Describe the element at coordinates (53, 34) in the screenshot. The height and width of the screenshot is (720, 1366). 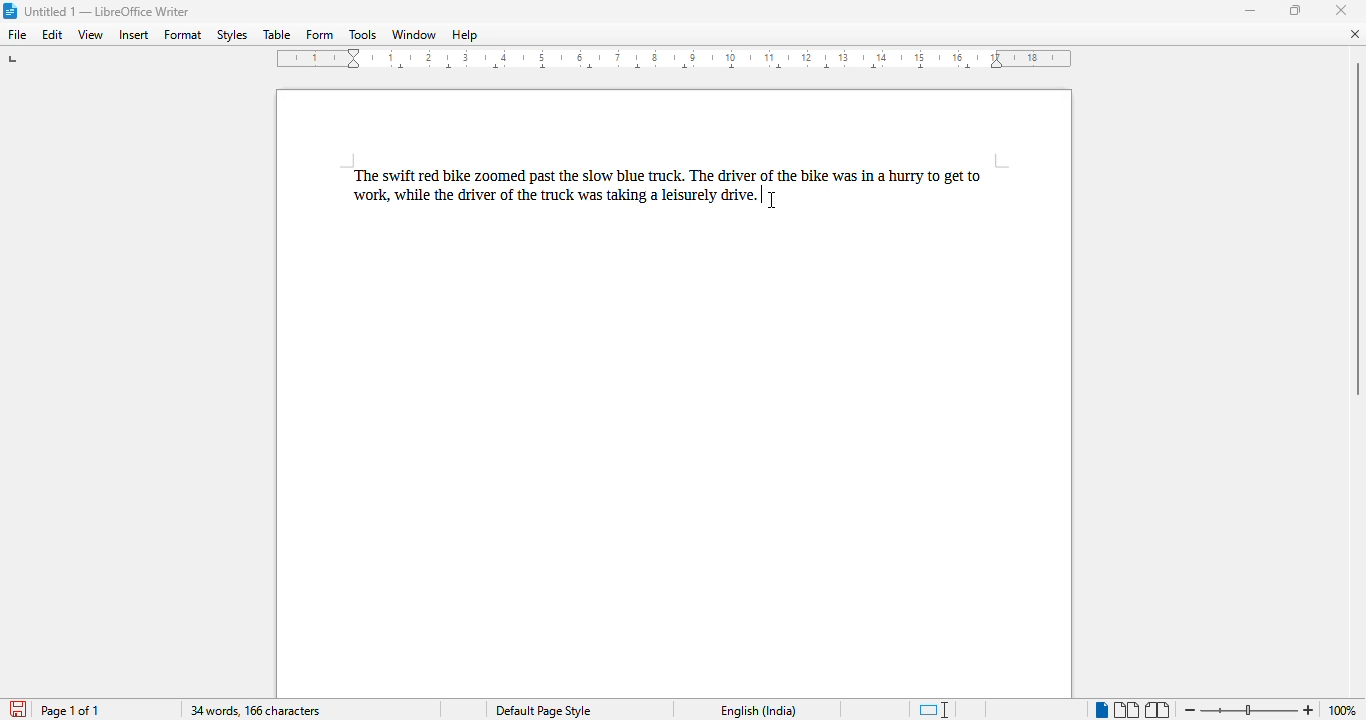
I see `edit` at that location.